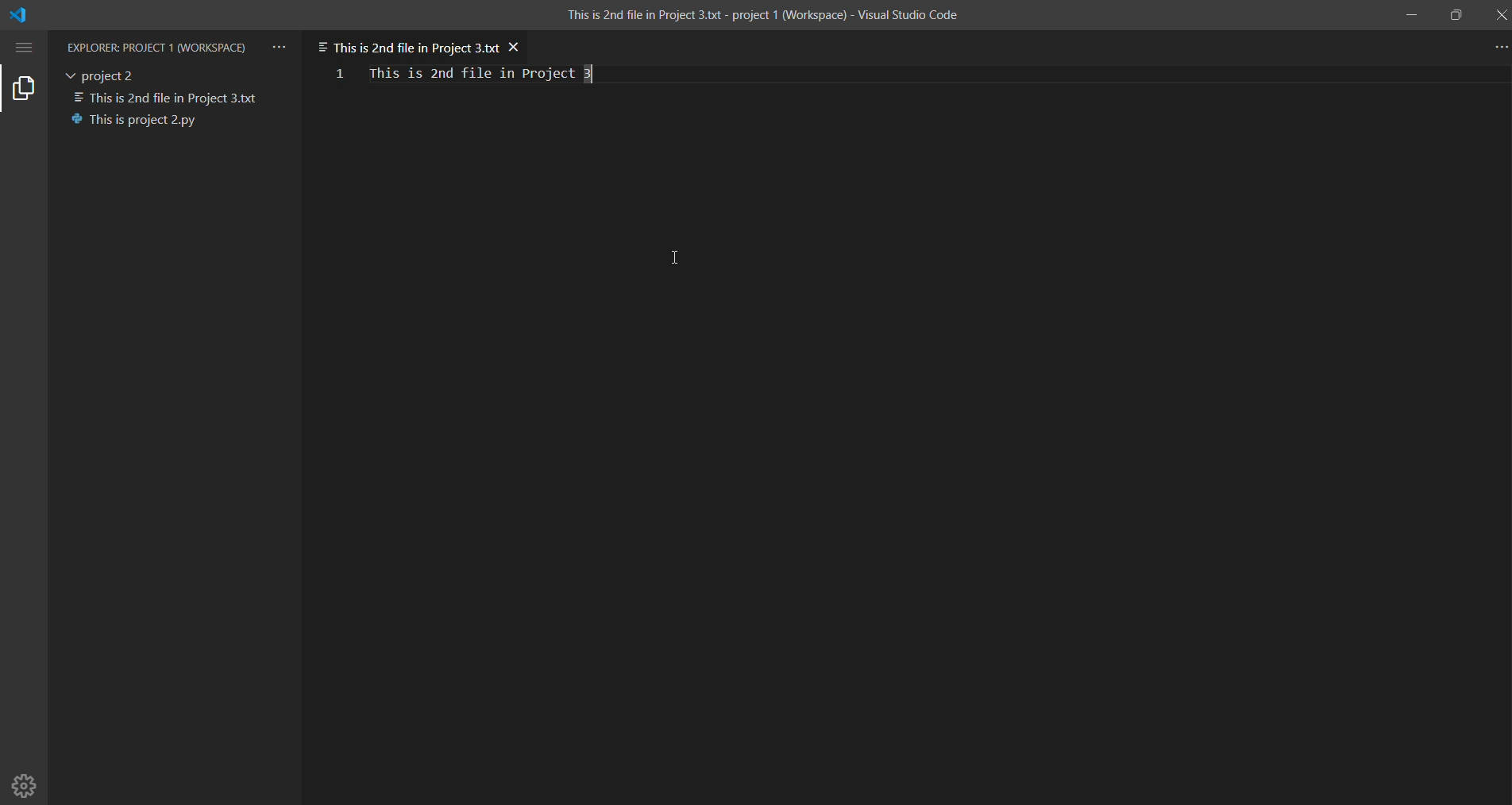 The width and height of the screenshot is (1512, 805). I want to click on maximize, so click(1455, 12).